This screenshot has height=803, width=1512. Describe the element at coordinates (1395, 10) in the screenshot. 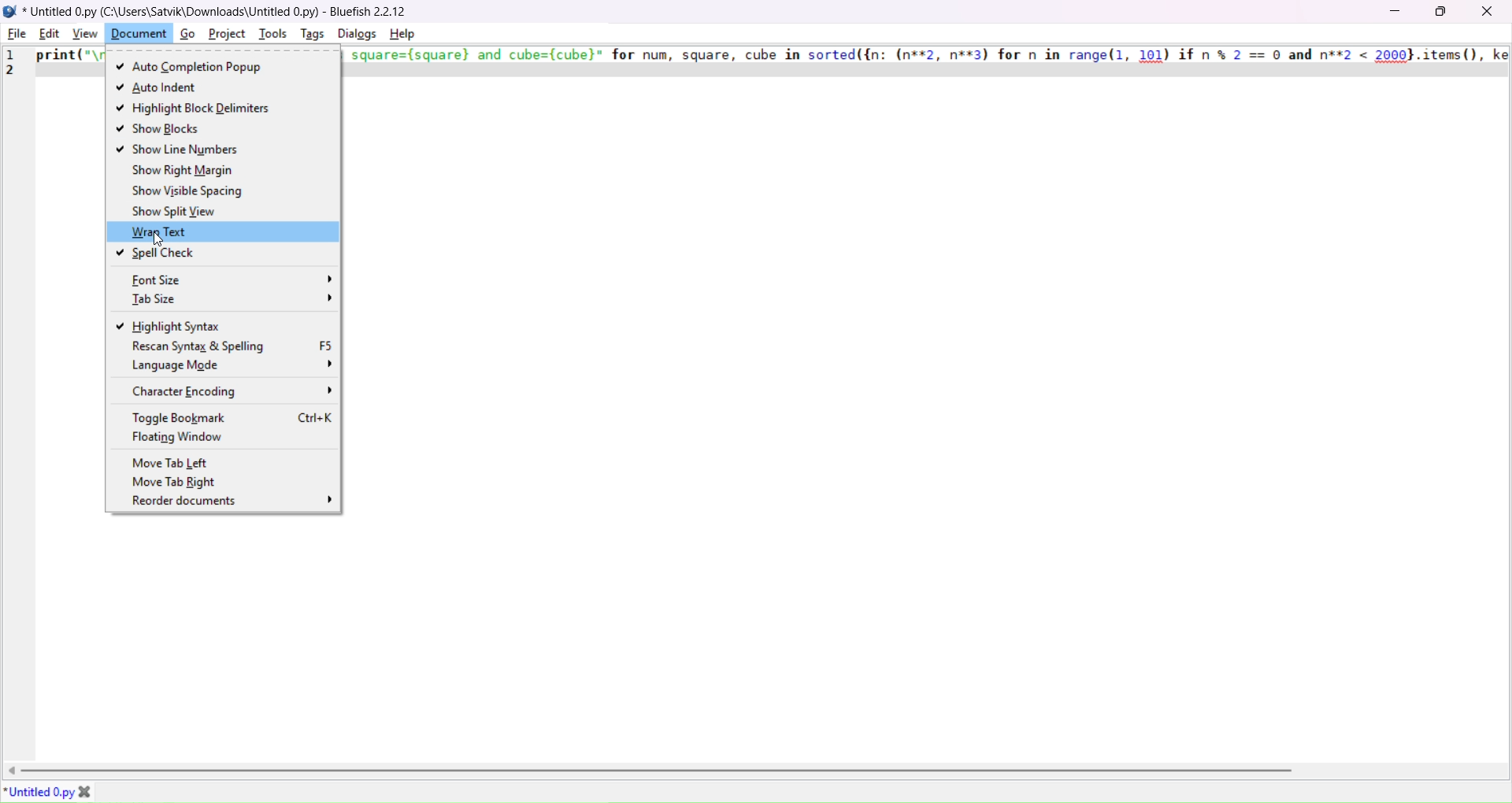

I see `minimize` at that location.